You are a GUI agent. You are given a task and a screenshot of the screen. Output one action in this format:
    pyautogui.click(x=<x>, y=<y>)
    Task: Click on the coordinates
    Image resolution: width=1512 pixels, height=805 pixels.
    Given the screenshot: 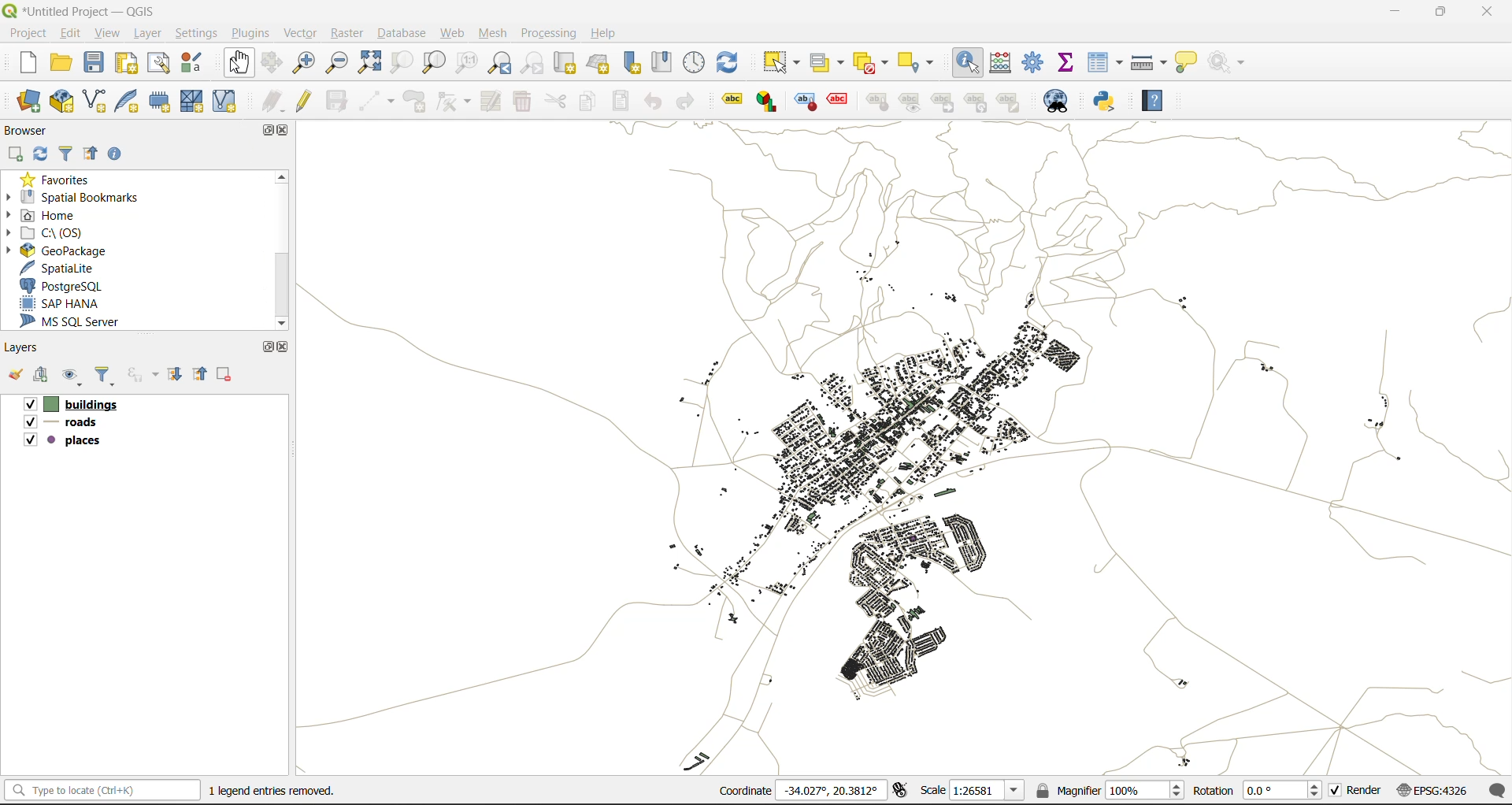 What is the action you would take?
    pyautogui.click(x=799, y=791)
    